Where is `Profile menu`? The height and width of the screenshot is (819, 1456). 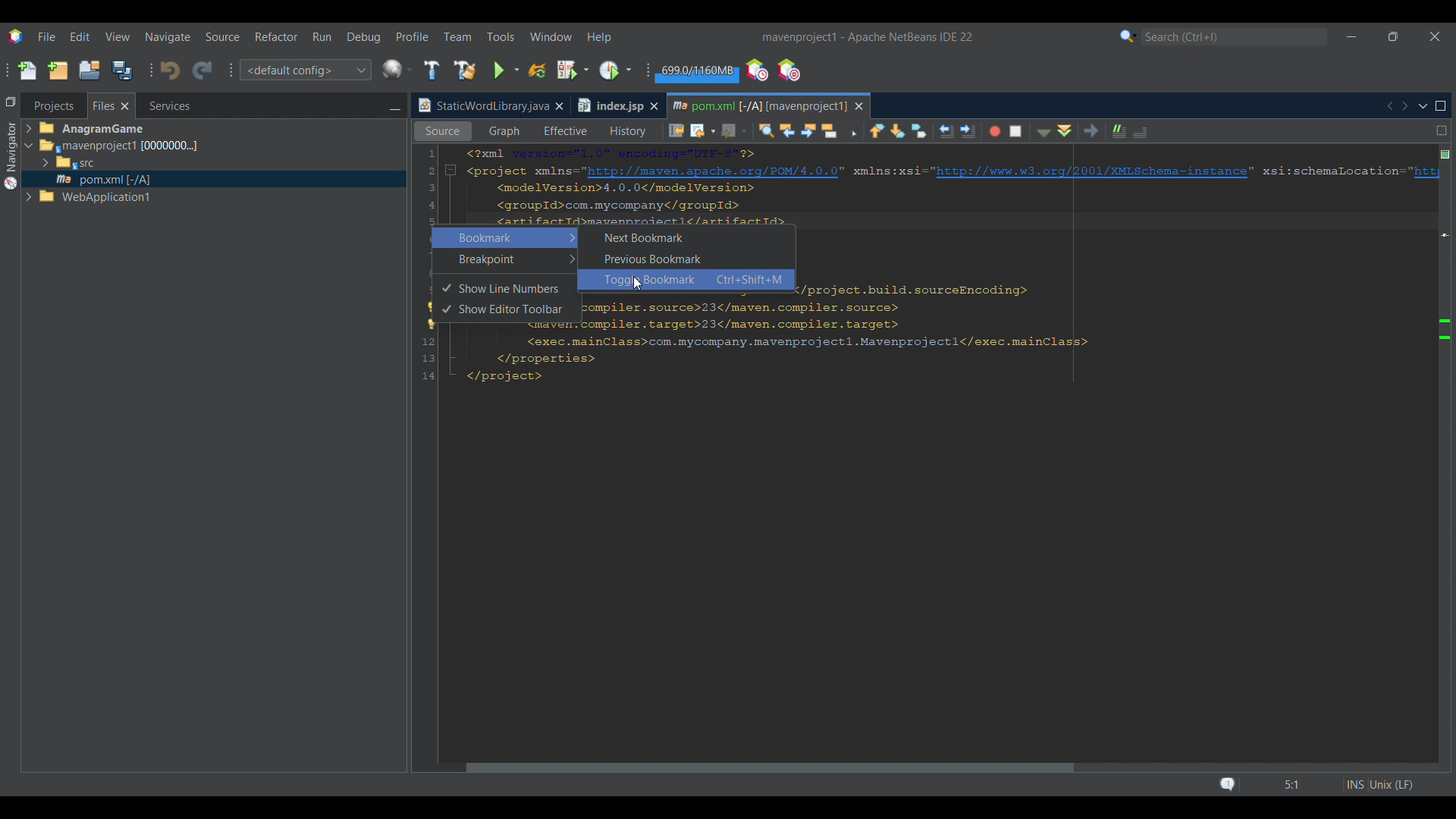
Profile menu is located at coordinates (413, 36).